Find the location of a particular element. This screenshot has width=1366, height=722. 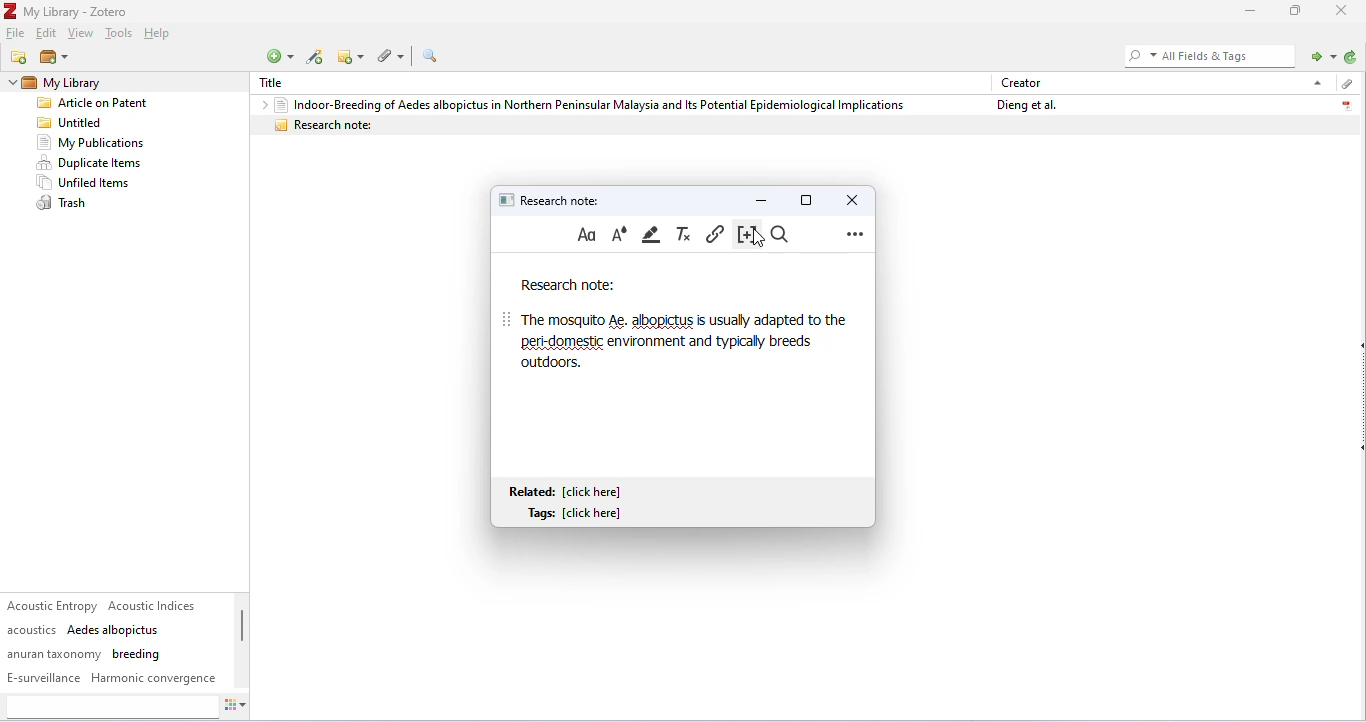

my library is located at coordinates (94, 83).